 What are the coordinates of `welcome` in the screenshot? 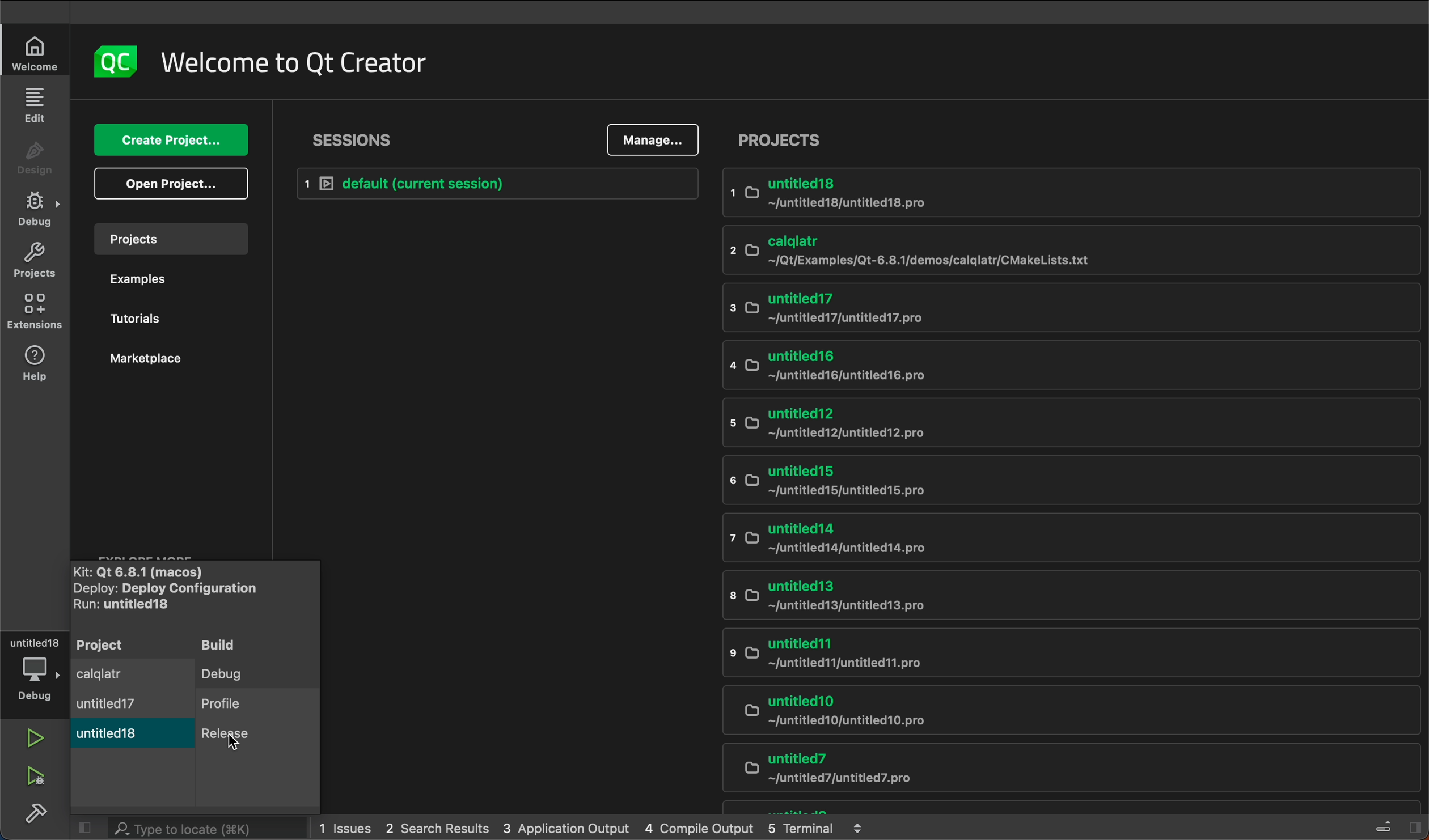 It's located at (32, 53).